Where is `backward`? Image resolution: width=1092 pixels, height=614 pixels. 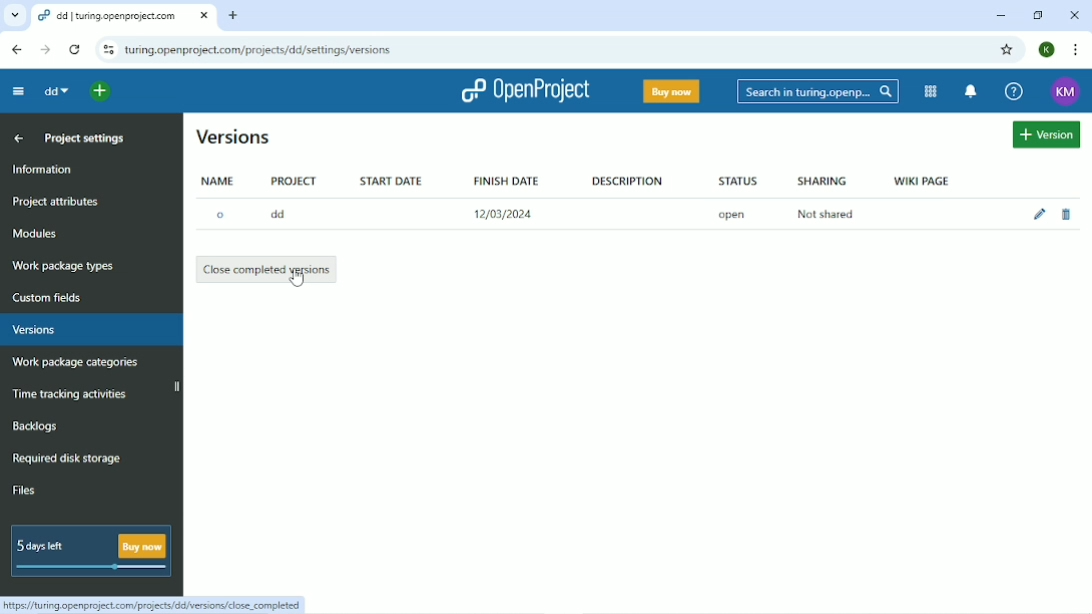
backward is located at coordinates (14, 49).